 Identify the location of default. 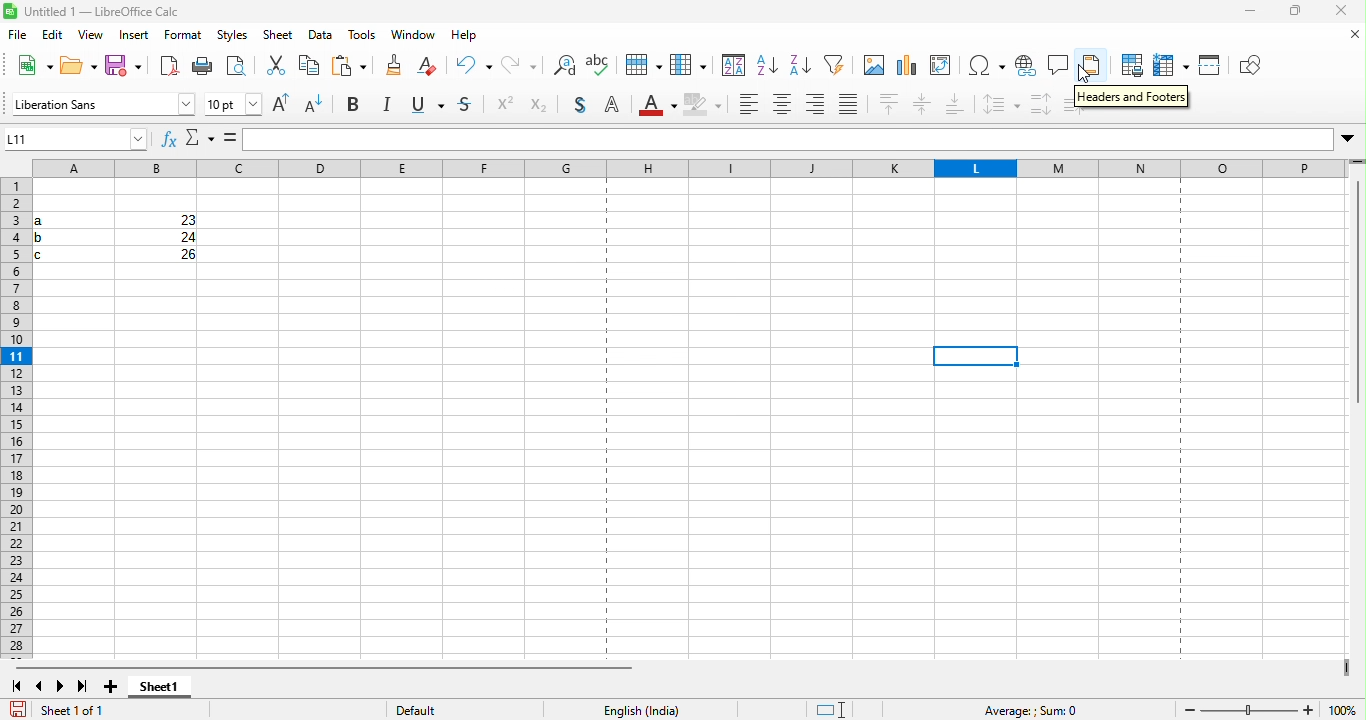
(443, 707).